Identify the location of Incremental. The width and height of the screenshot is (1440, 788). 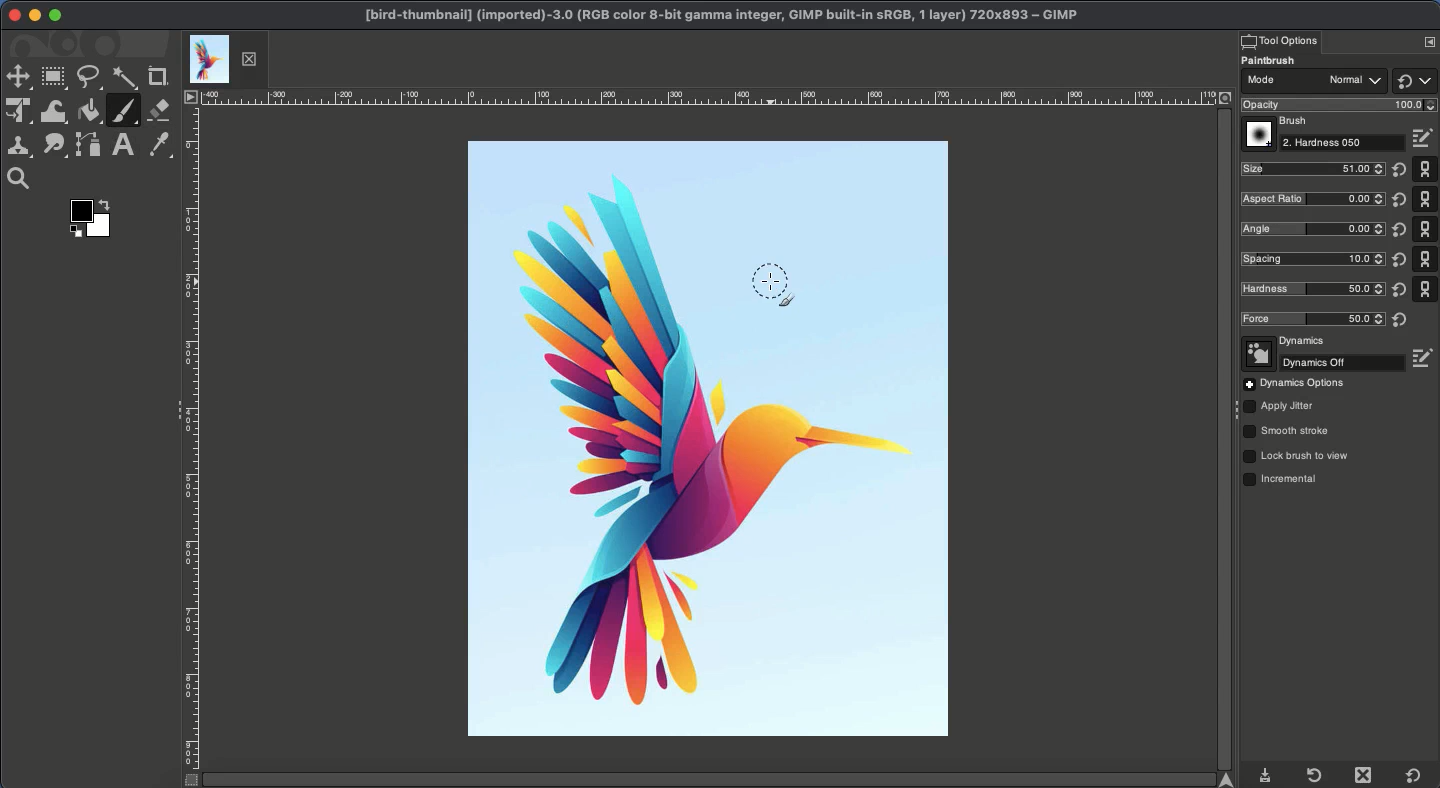
(1285, 481).